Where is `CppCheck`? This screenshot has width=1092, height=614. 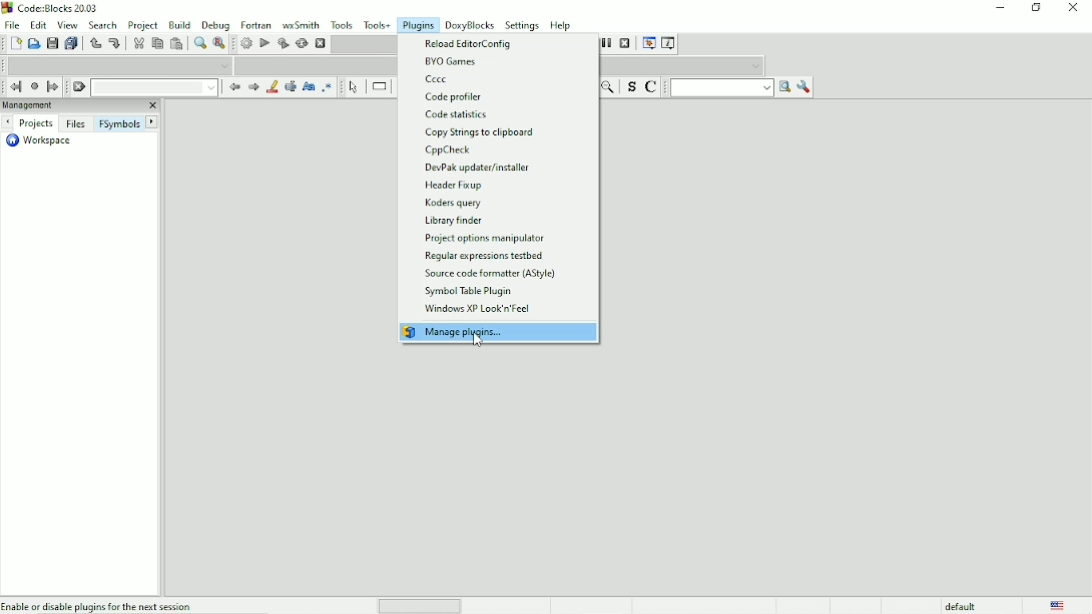 CppCheck is located at coordinates (450, 151).